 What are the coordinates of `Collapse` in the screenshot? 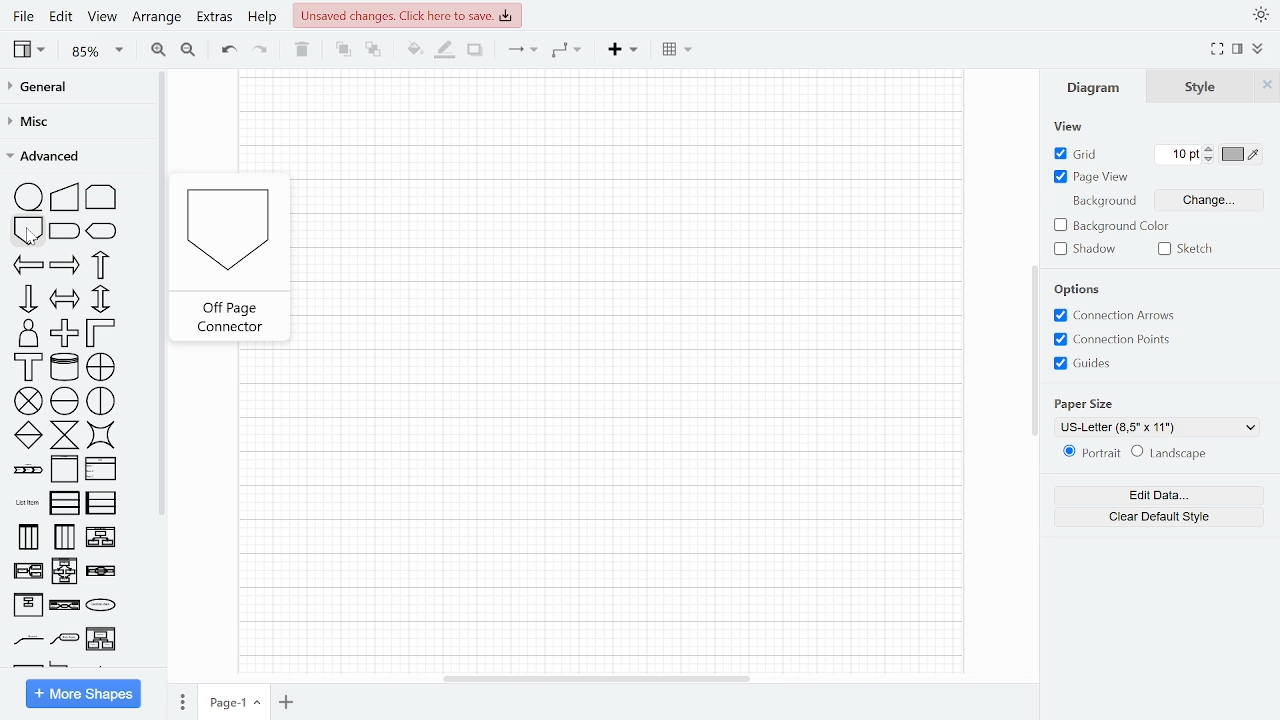 It's located at (1259, 51).